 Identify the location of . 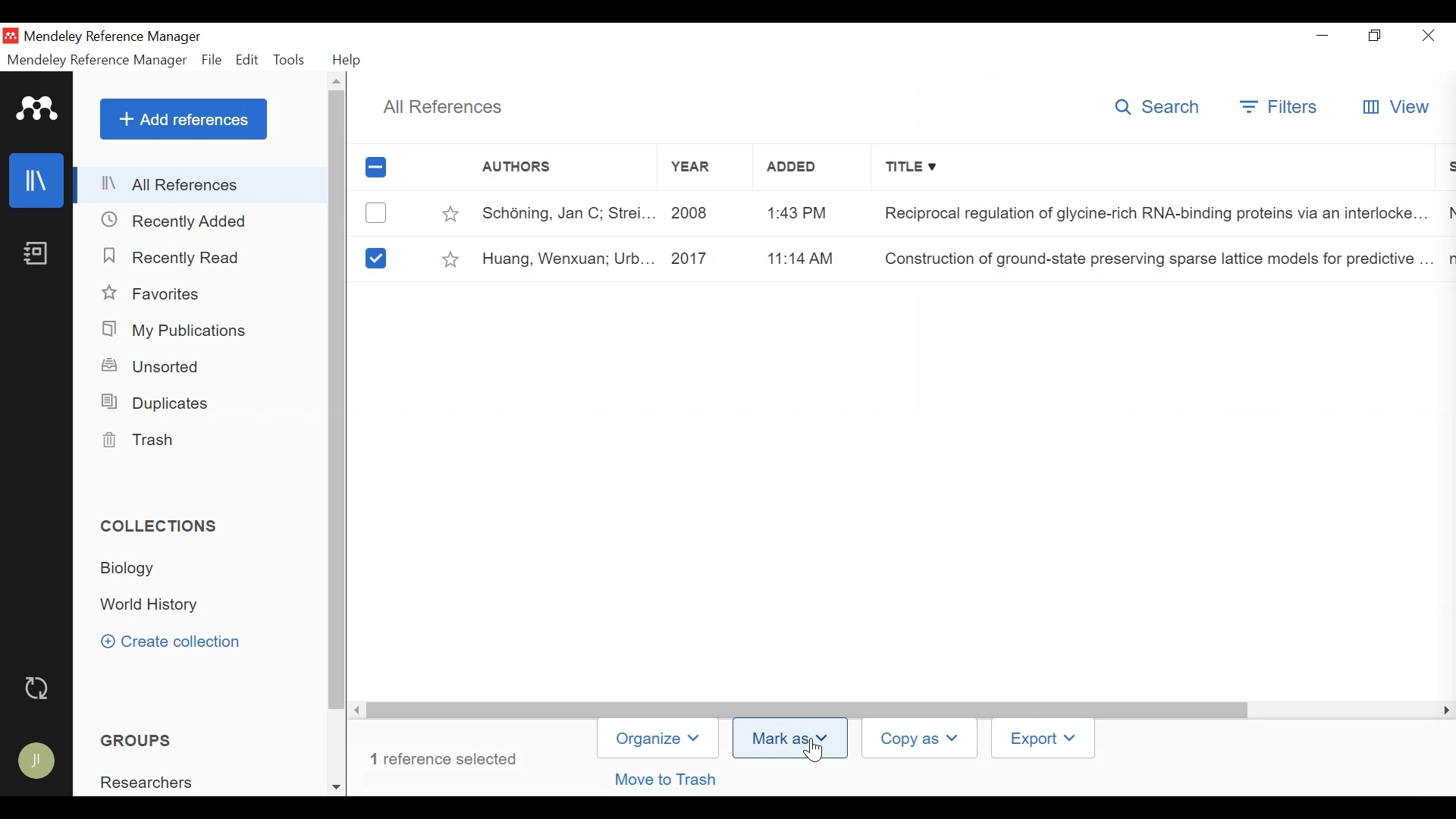
(338, 81).